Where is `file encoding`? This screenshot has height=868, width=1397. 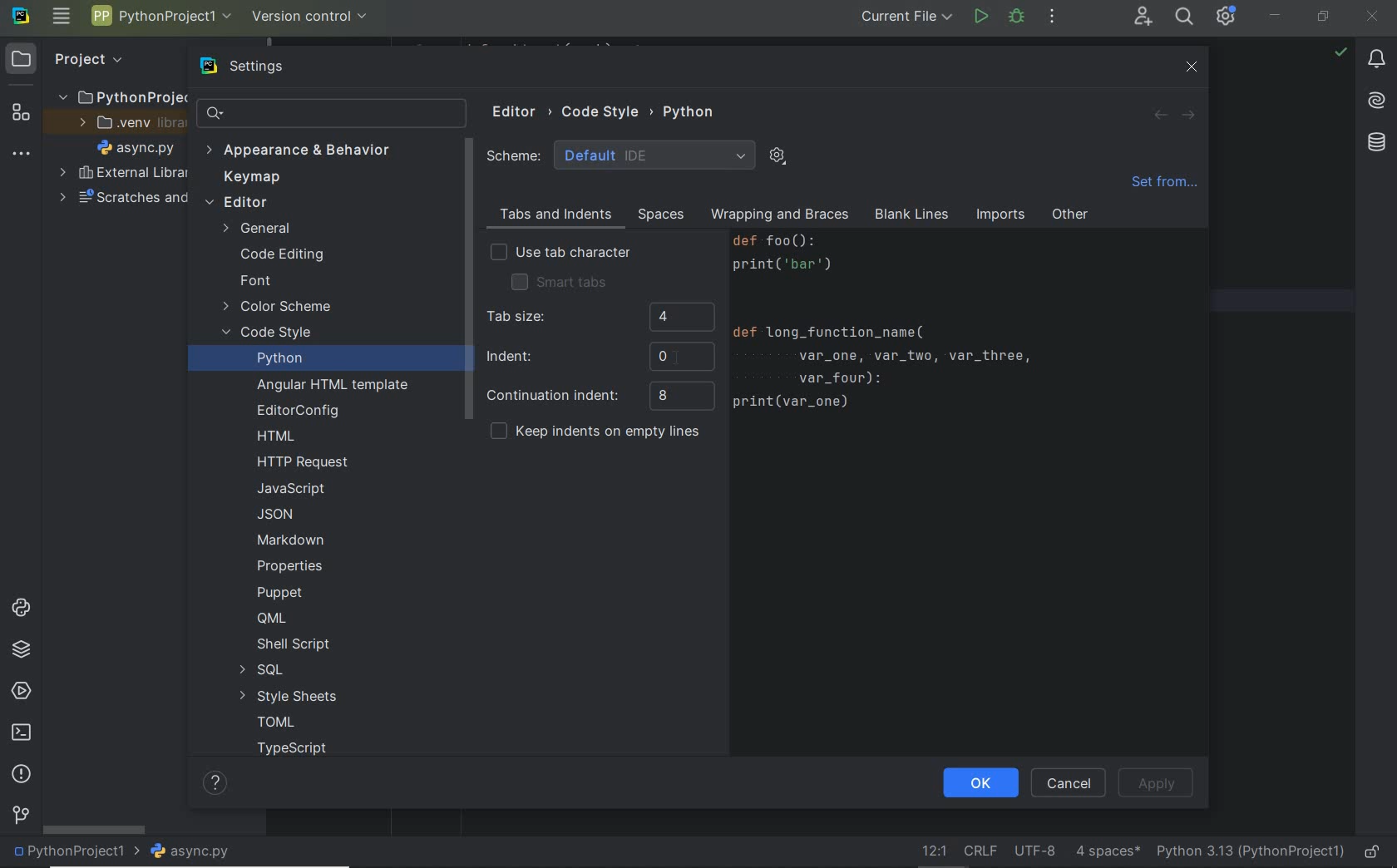 file encoding is located at coordinates (1035, 850).